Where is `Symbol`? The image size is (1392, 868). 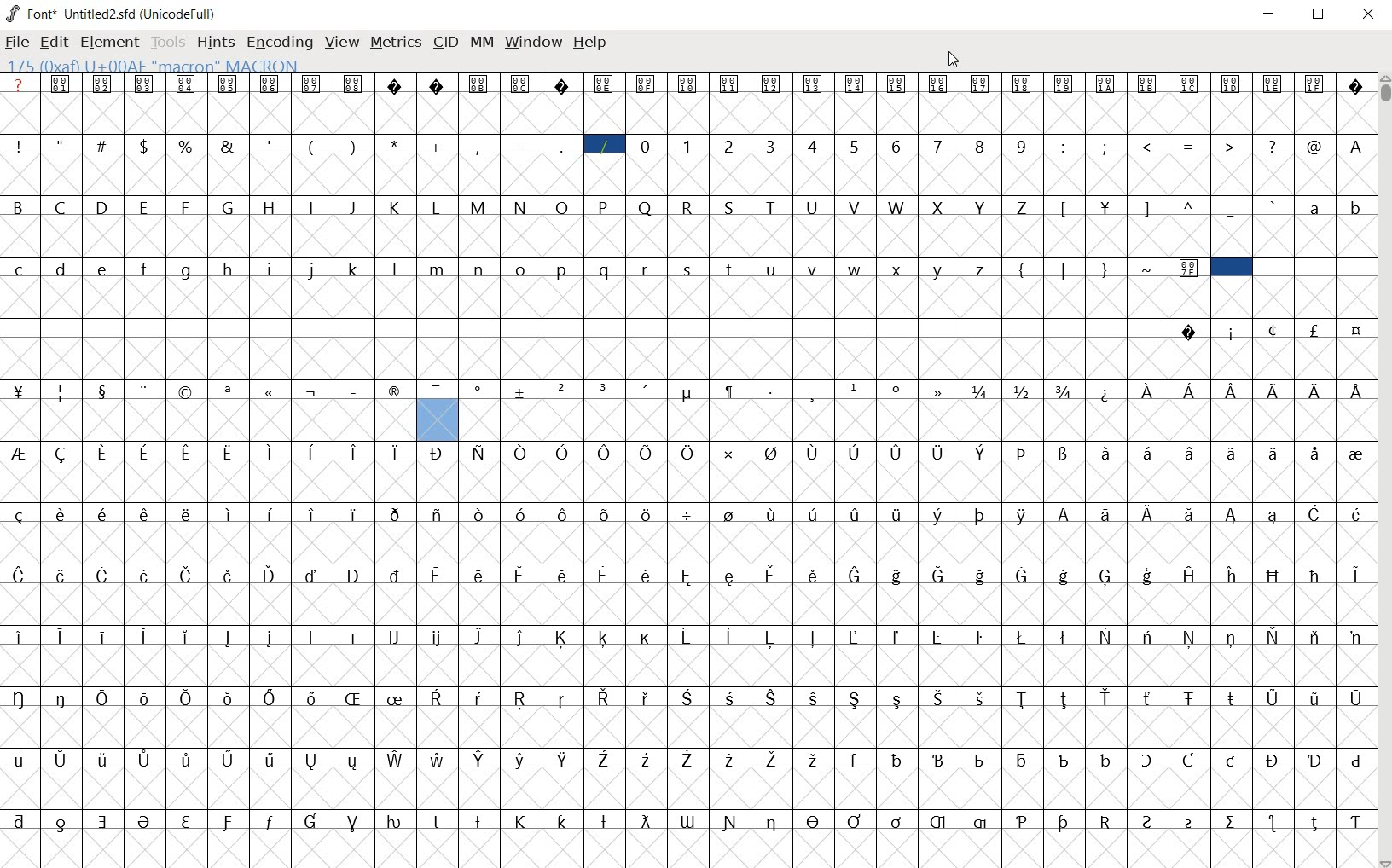 Symbol is located at coordinates (1356, 453).